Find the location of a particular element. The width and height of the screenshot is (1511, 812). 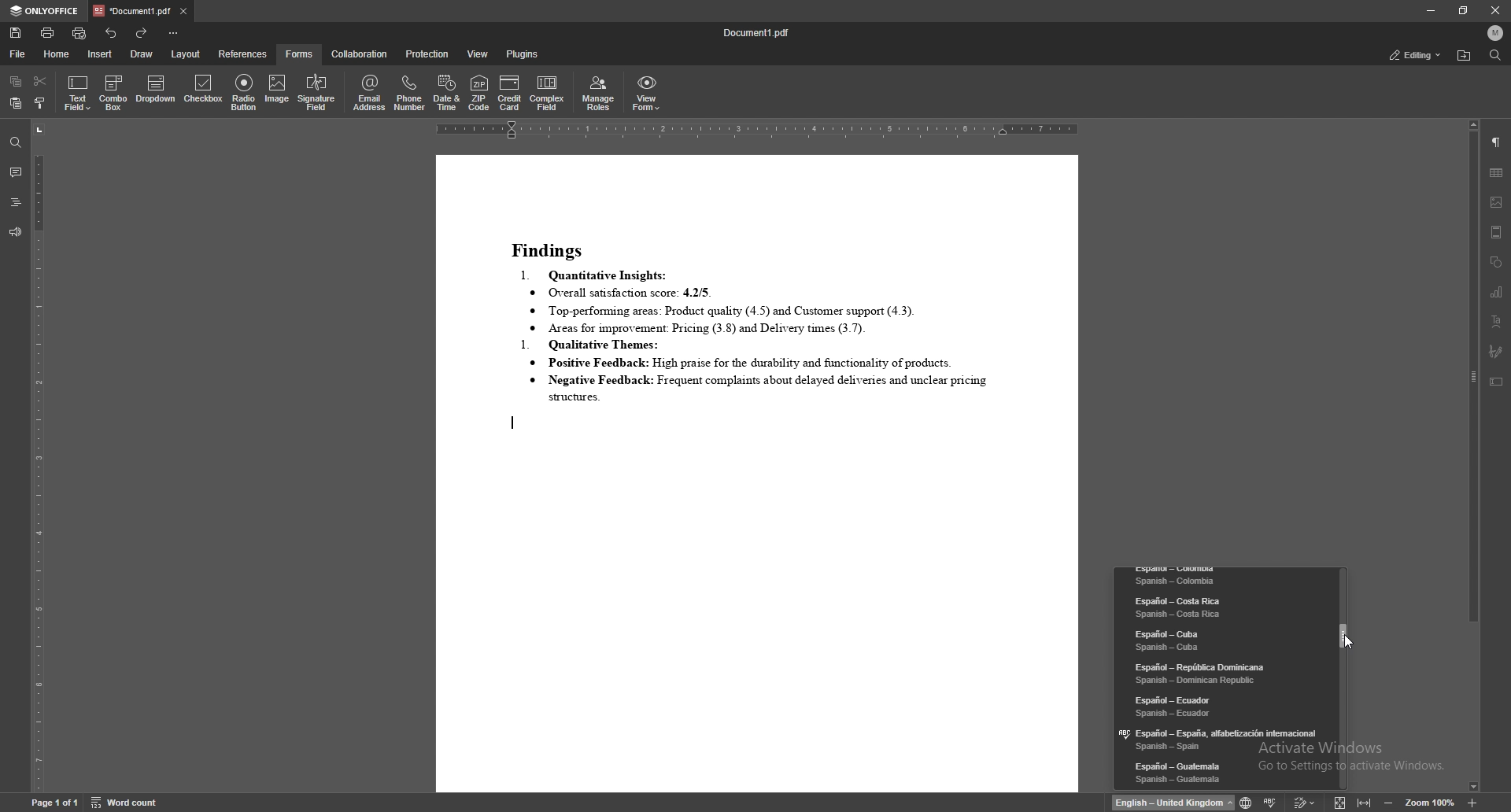

cursor is located at coordinates (1348, 642).